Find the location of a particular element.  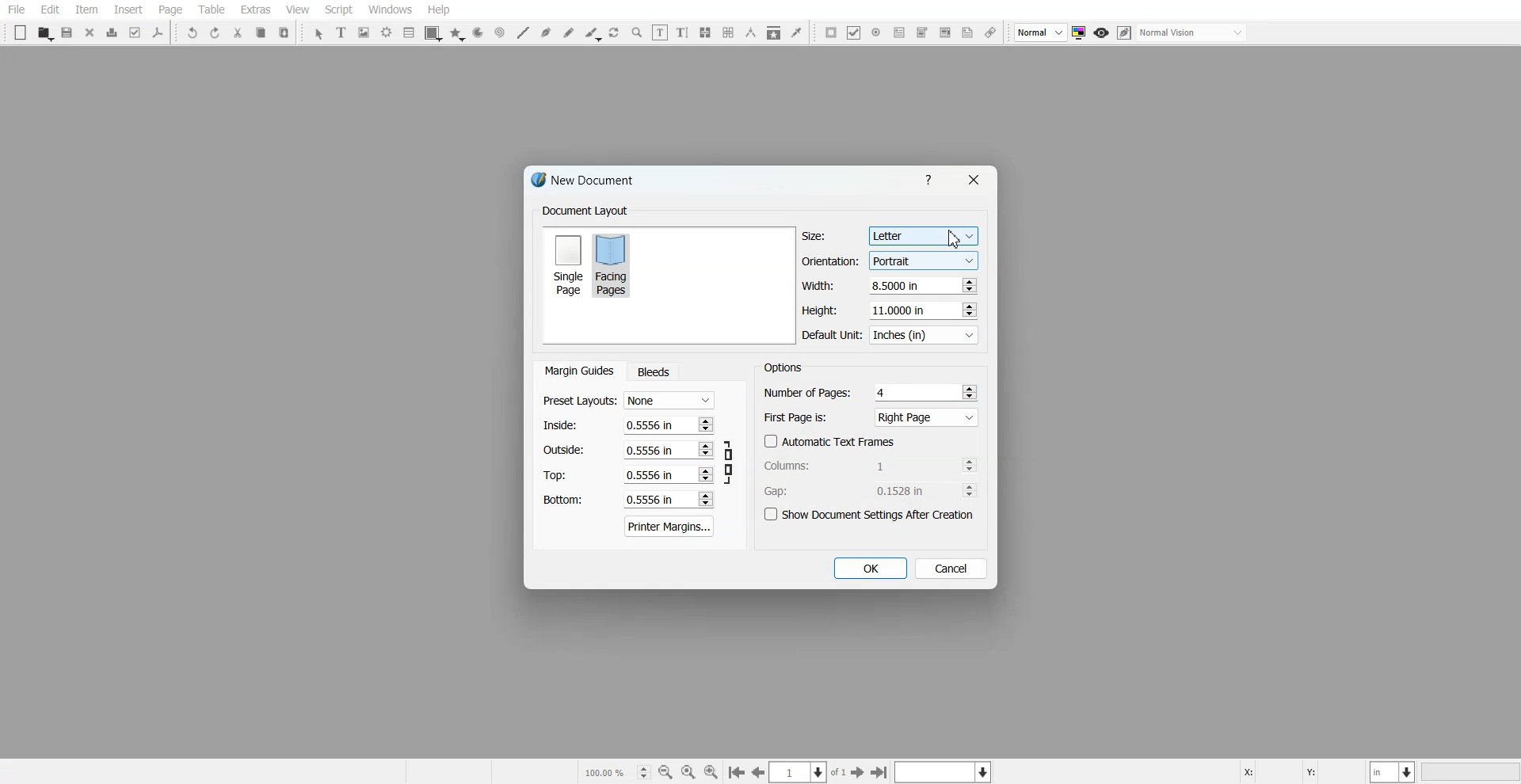

Preview mode is located at coordinates (1102, 33).